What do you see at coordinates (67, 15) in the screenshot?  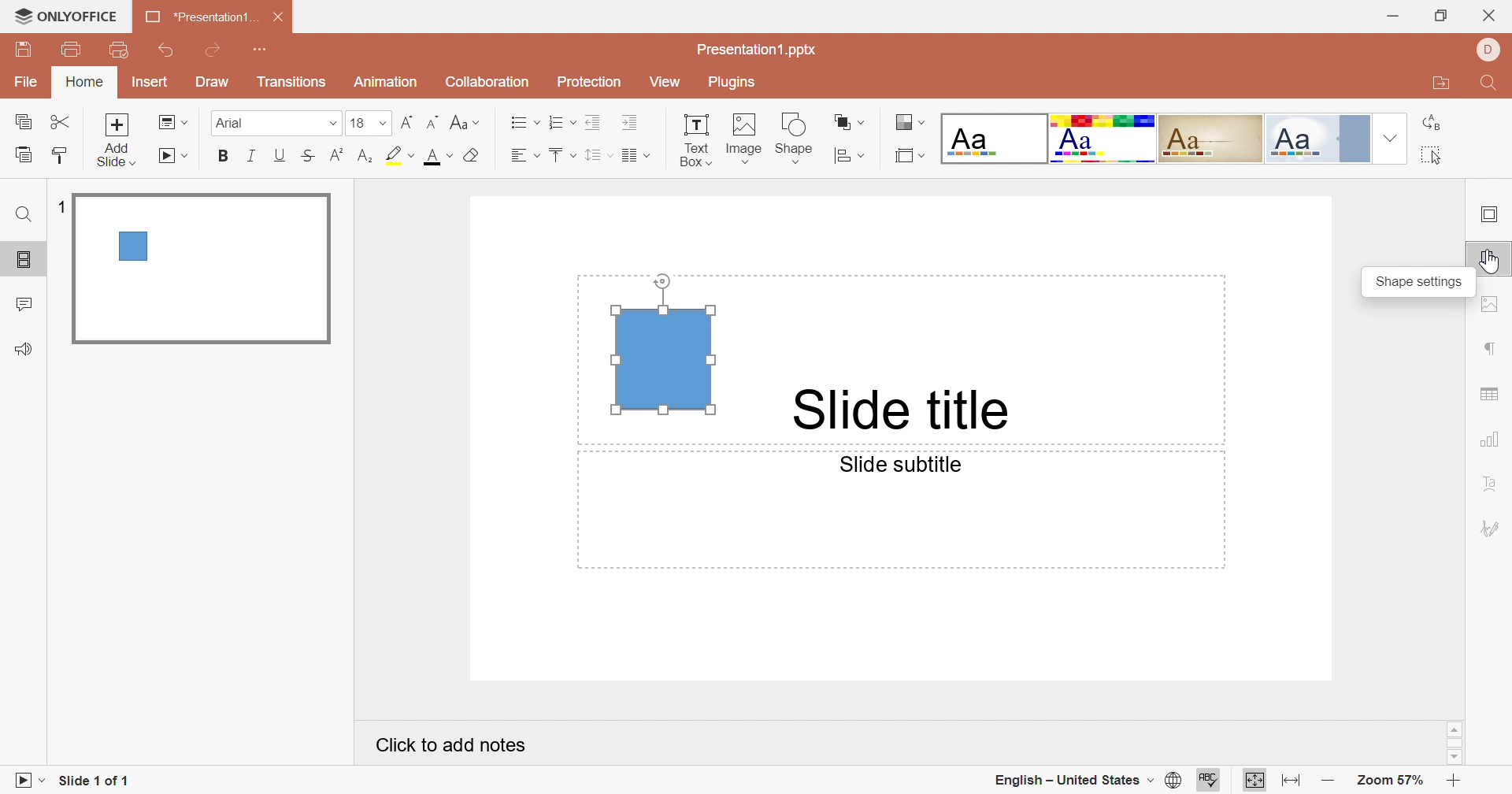 I see `ONLYOFFICE` at bounding box center [67, 15].